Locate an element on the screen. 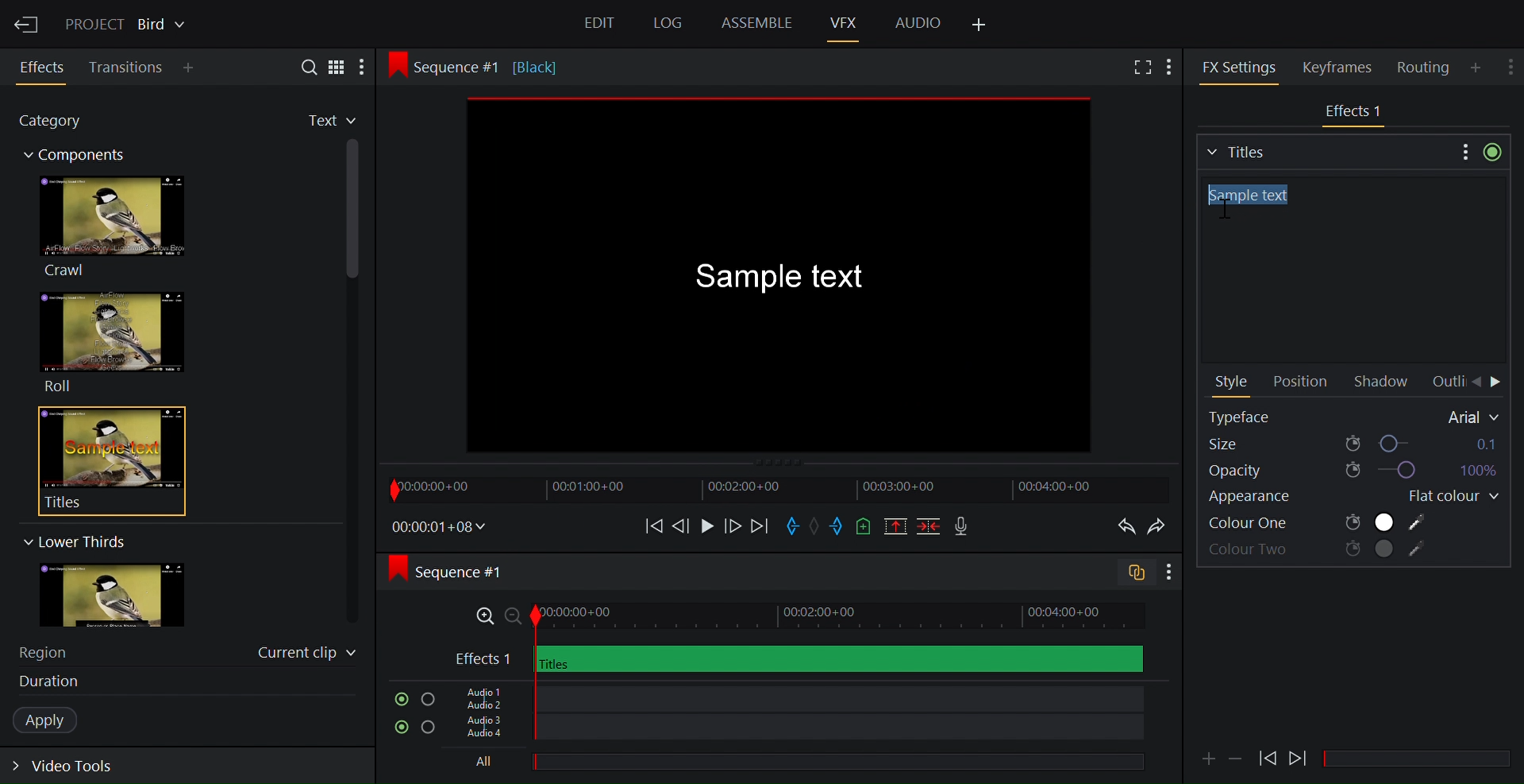 Image resolution: width=1524 pixels, height=784 pixels. Roll is located at coordinates (111, 342).